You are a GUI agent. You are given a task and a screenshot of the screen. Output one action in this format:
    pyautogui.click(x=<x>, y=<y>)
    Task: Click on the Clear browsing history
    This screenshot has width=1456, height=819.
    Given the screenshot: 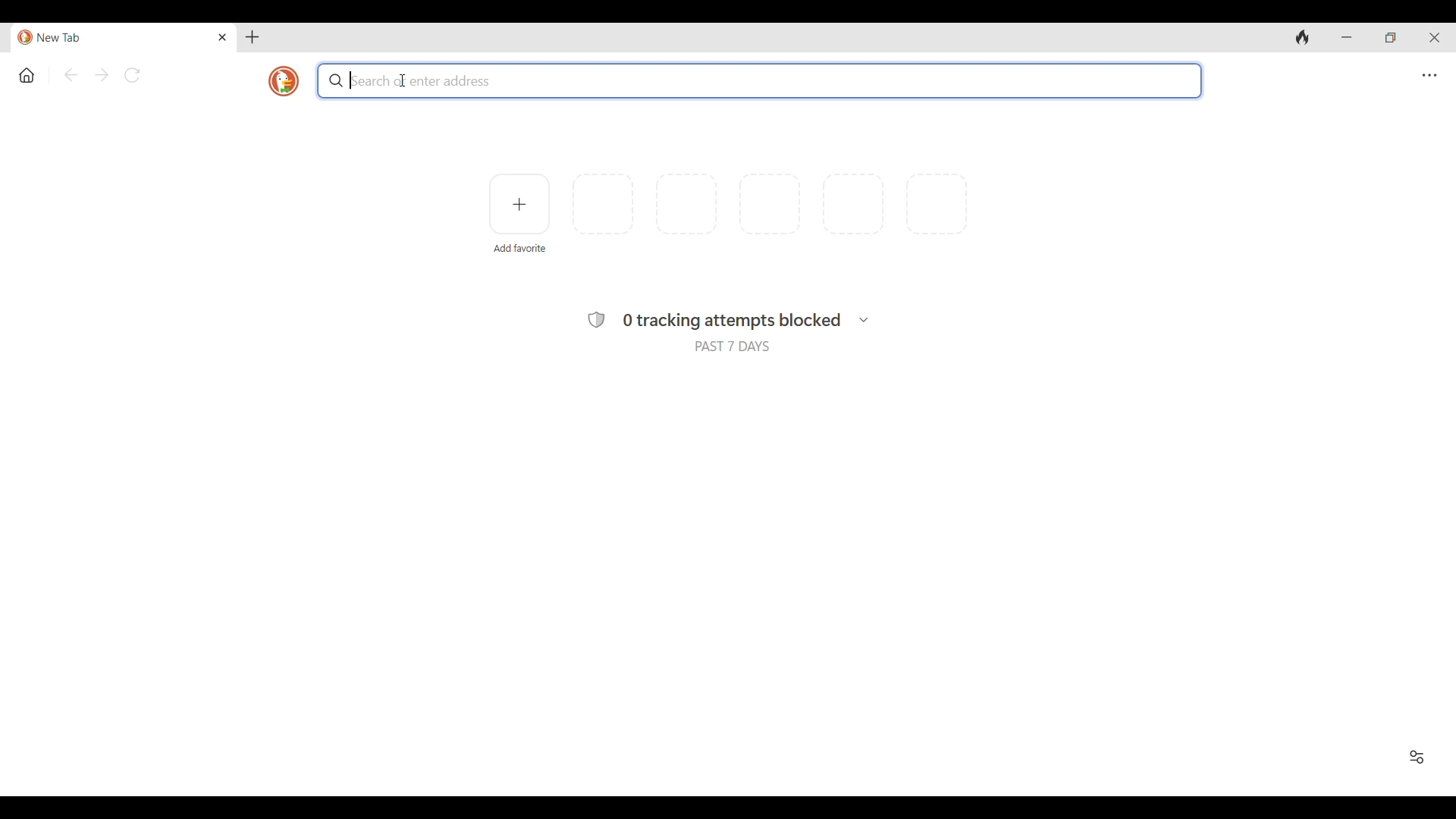 What is the action you would take?
    pyautogui.click(x=1303, y=38)
    